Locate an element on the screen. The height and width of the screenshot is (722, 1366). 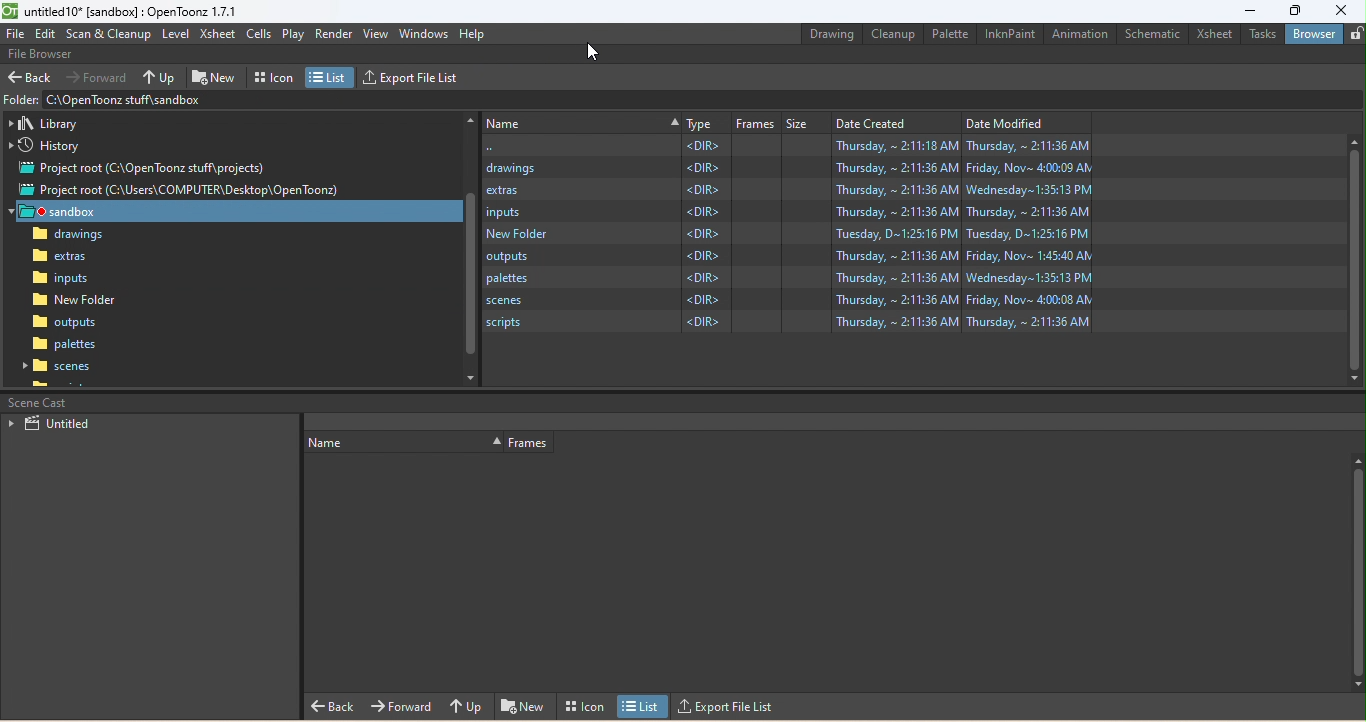
inputs is located at coordinates (60, 280).